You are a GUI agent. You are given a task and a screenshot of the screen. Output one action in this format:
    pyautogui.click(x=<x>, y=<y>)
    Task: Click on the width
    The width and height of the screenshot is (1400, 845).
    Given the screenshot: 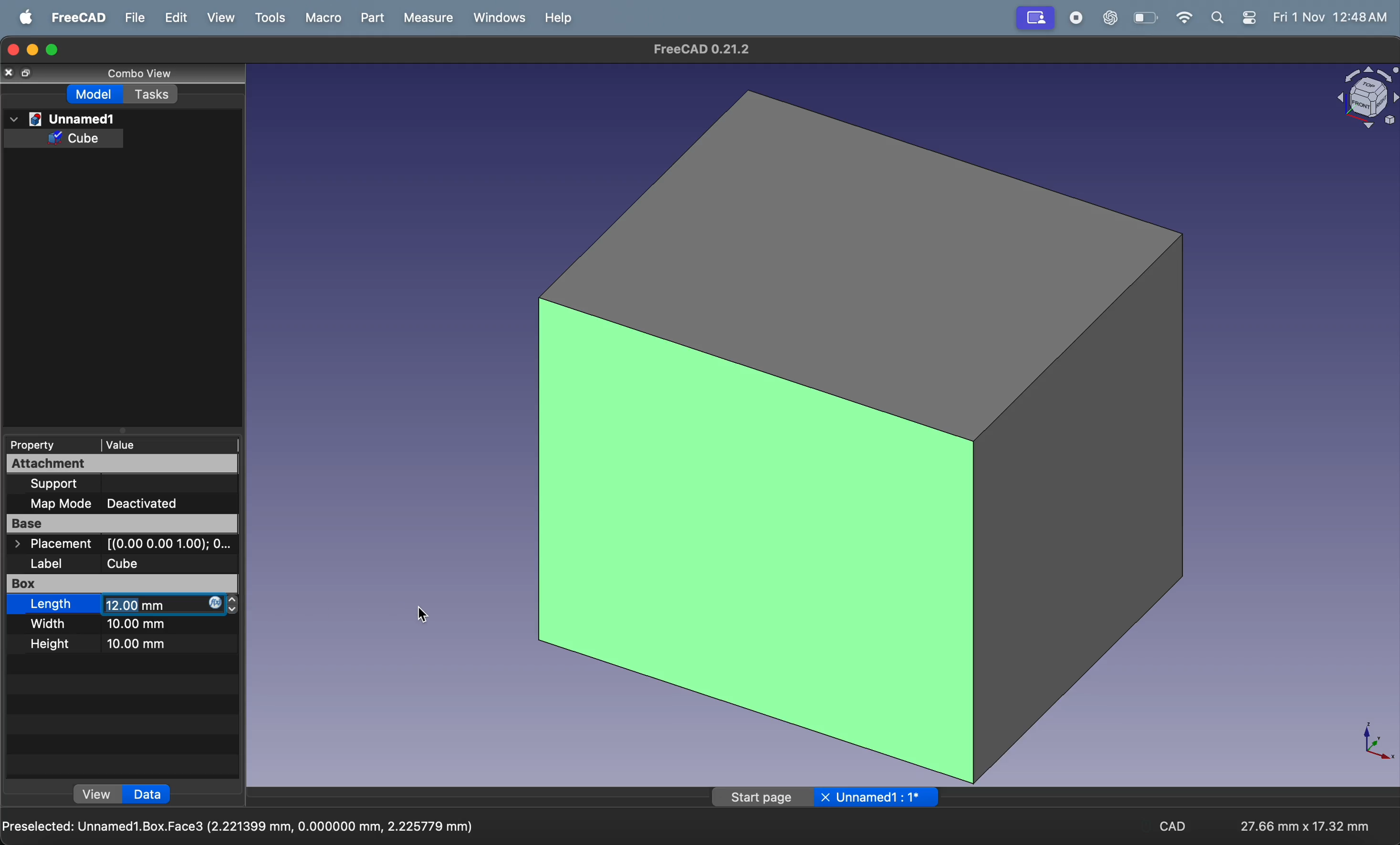 What is the action you would take?
    pyautogui.click(x=51, y=624)
    